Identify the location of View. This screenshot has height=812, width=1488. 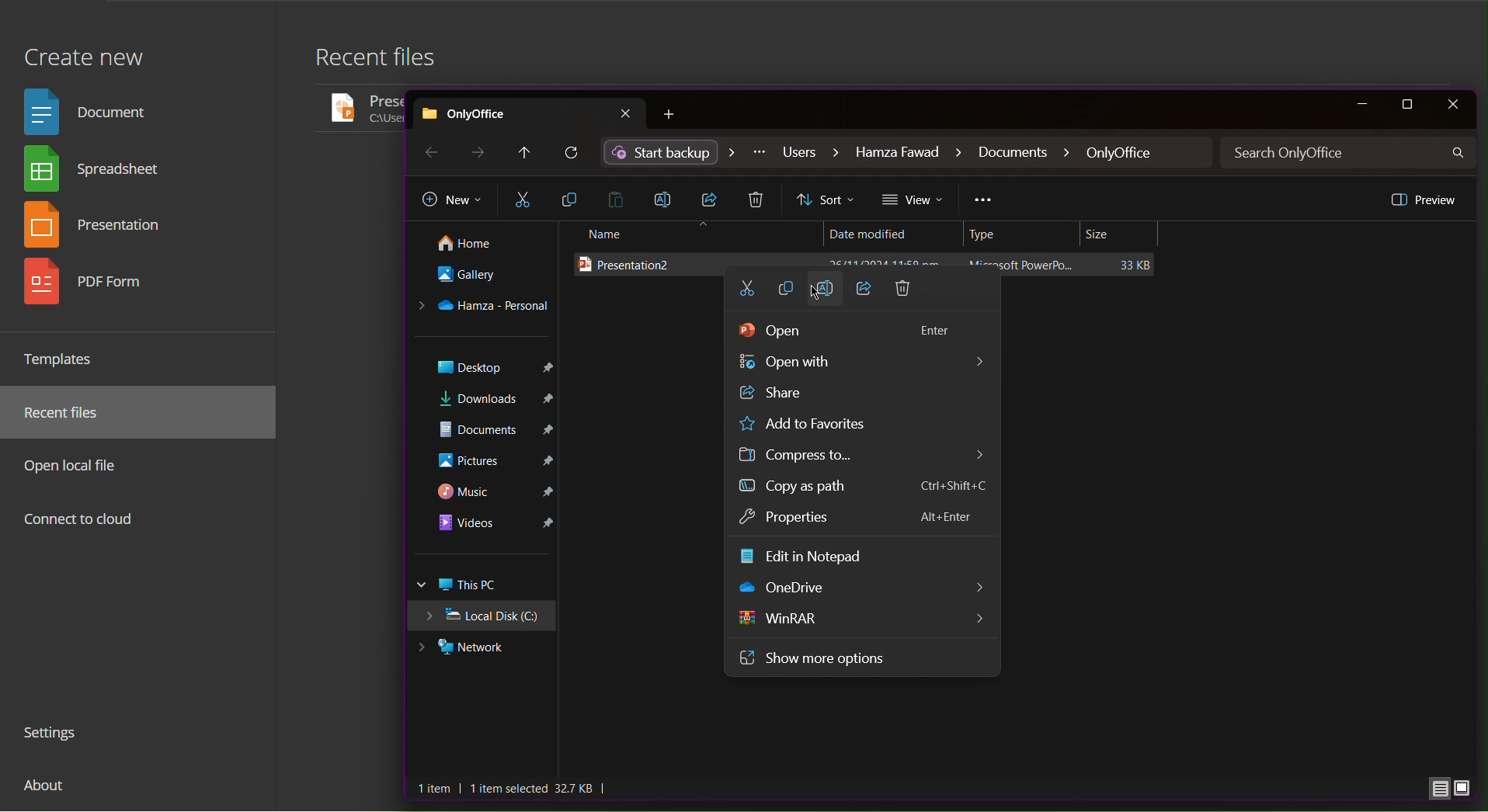
(914, 200).